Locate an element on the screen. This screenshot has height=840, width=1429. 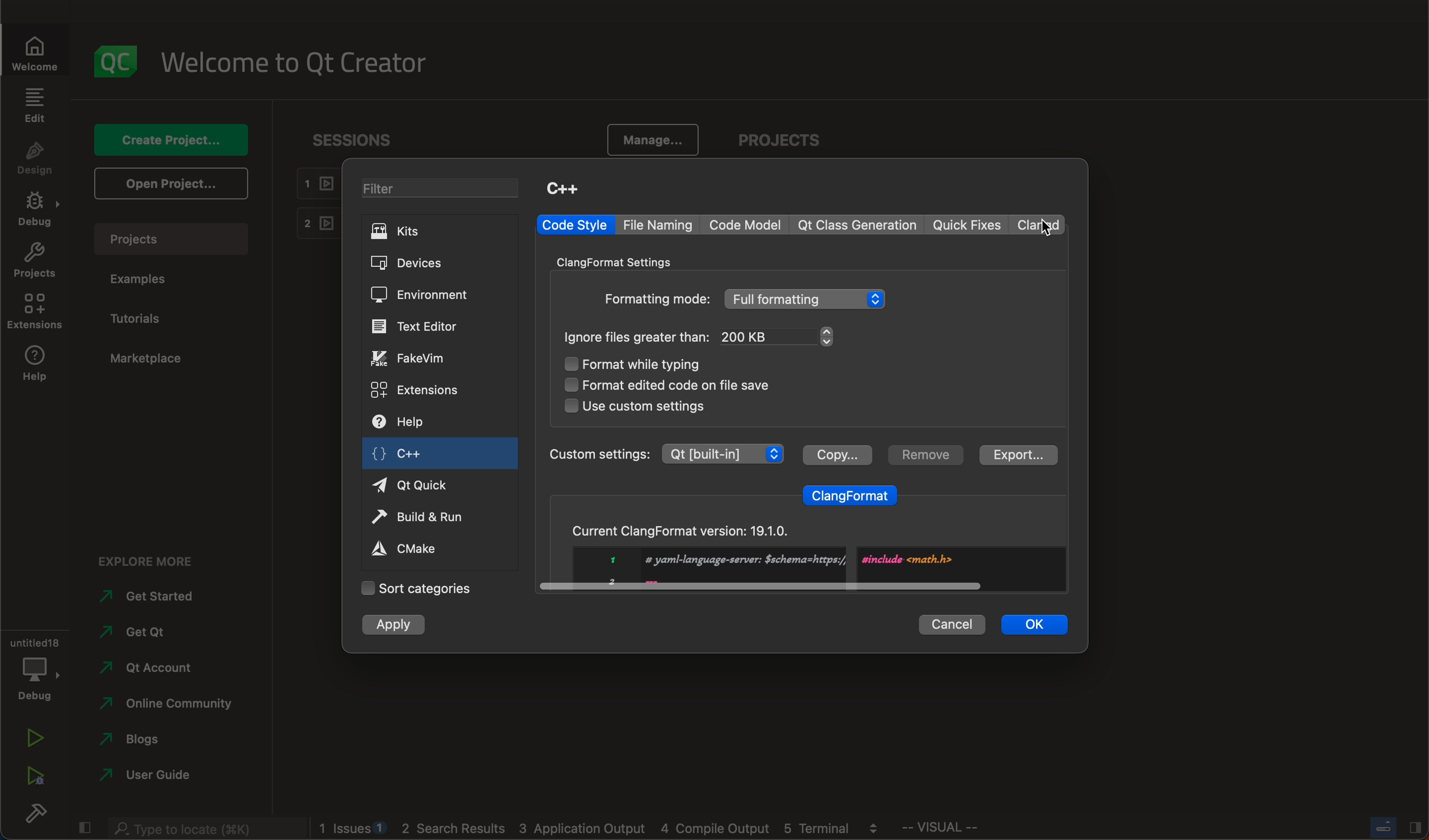
custom setting is located at coordinates (667, 453).